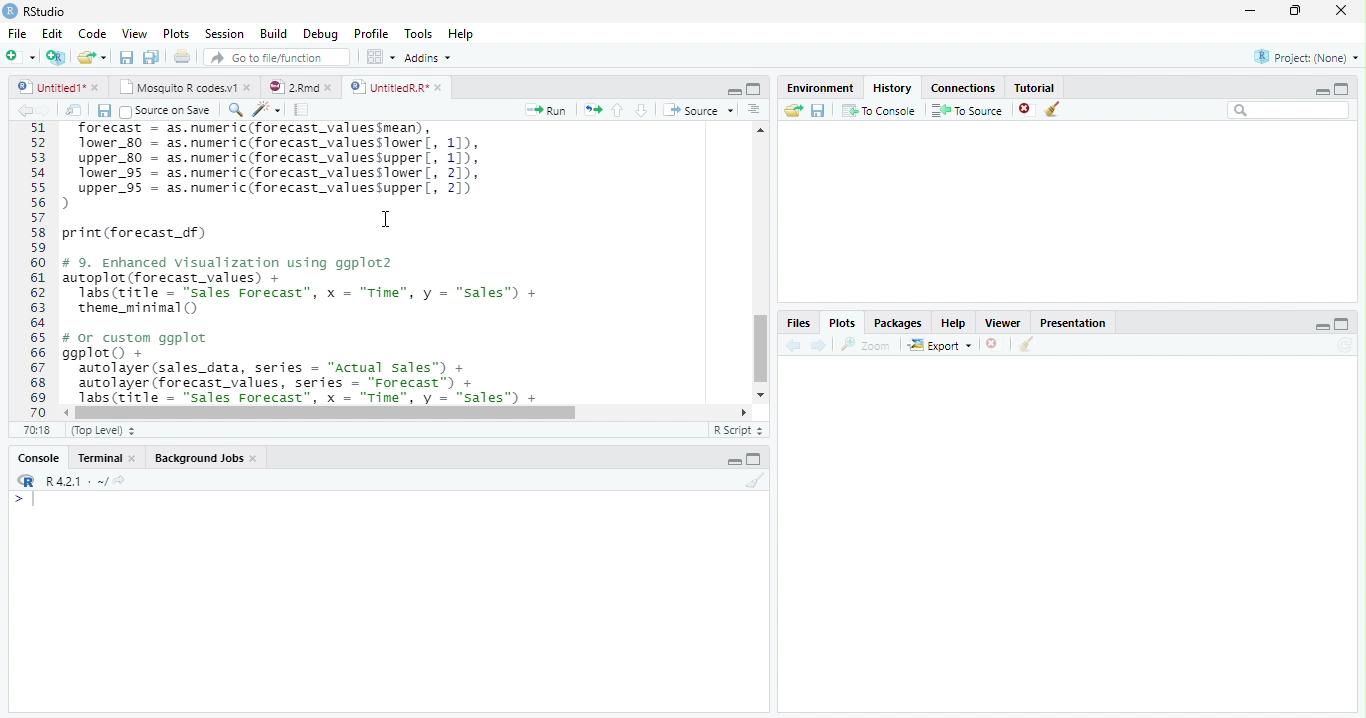 The height and width of the screenshot is (718, 1366). What do you see at coordinates (618, 110) in the screenshot?
I see `Up` at bounding box center [618, 110].